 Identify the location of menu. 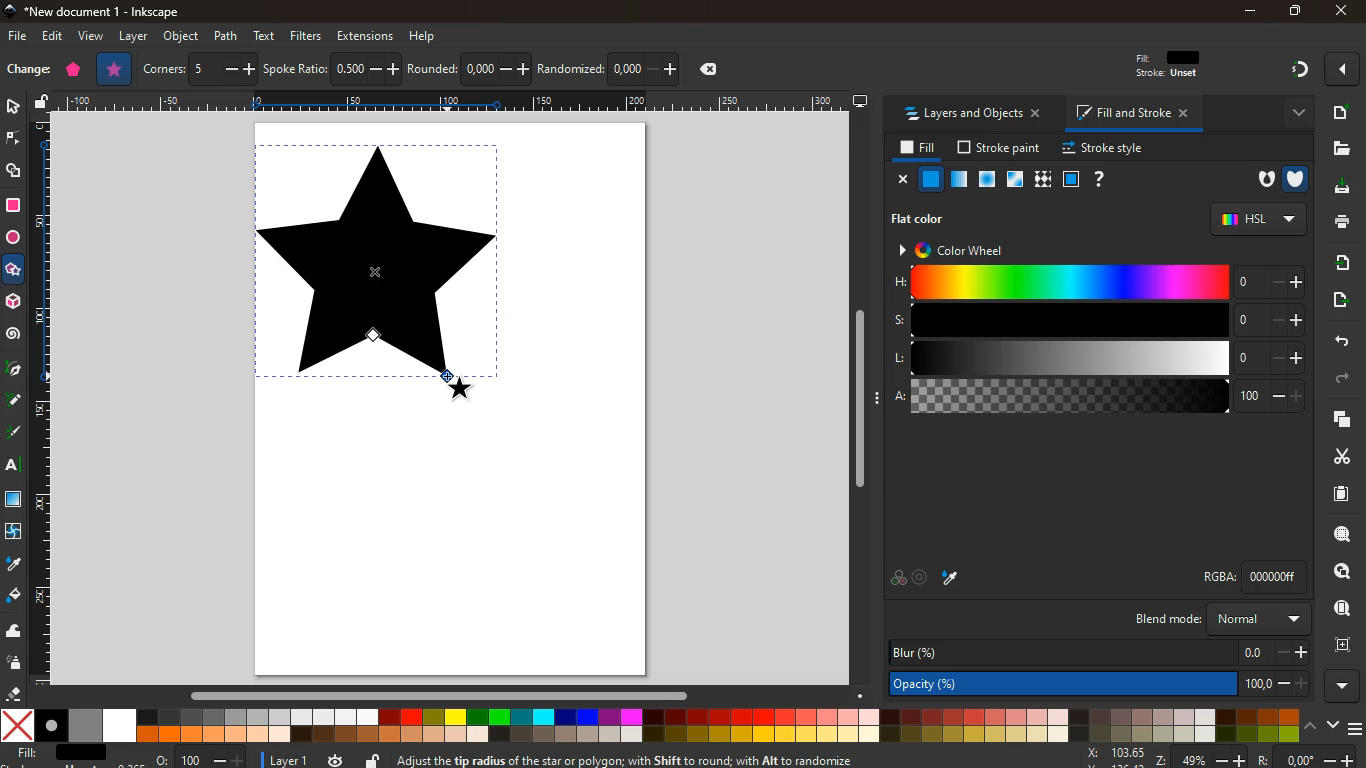
(1356, 728).